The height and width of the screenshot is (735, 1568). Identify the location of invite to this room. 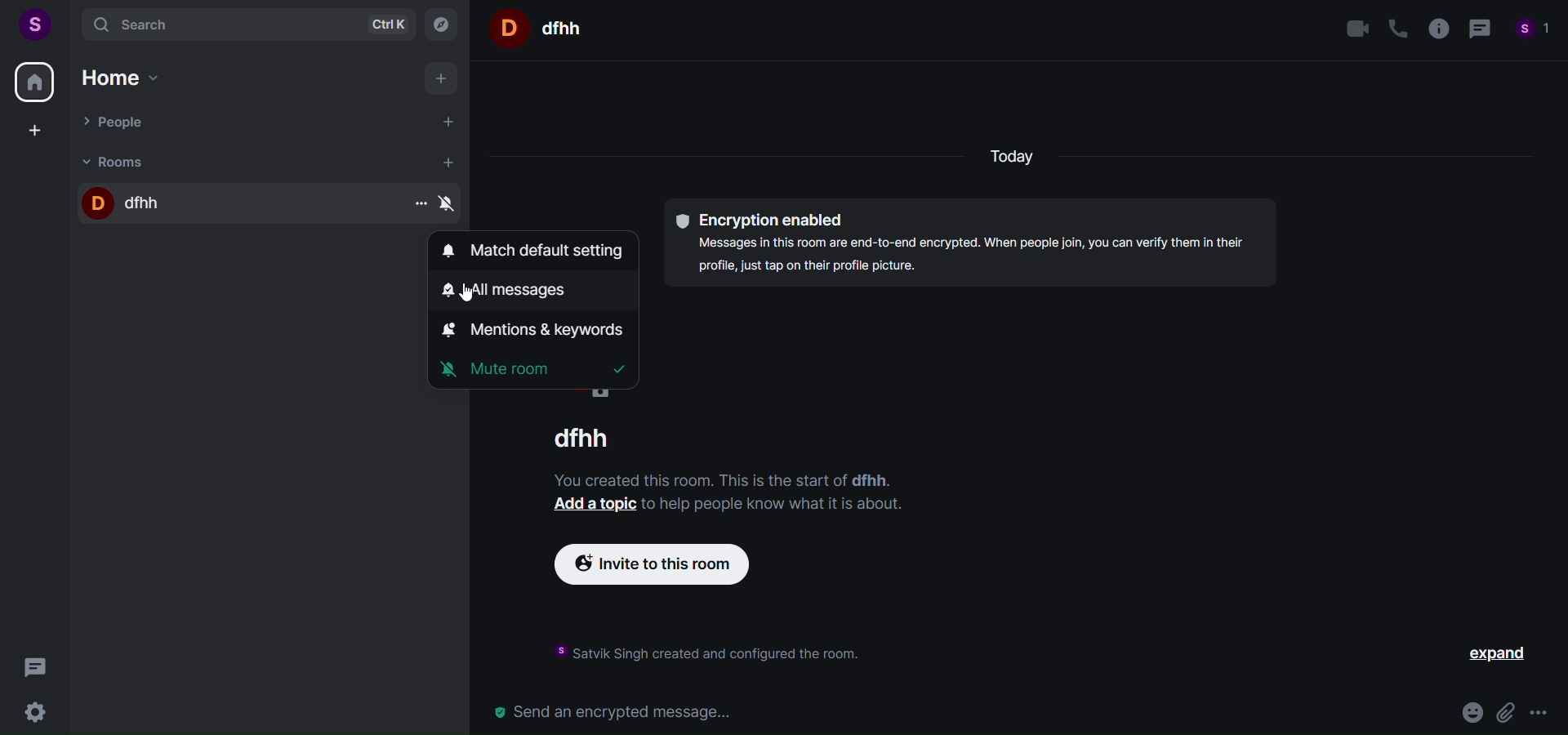
(666, 565).